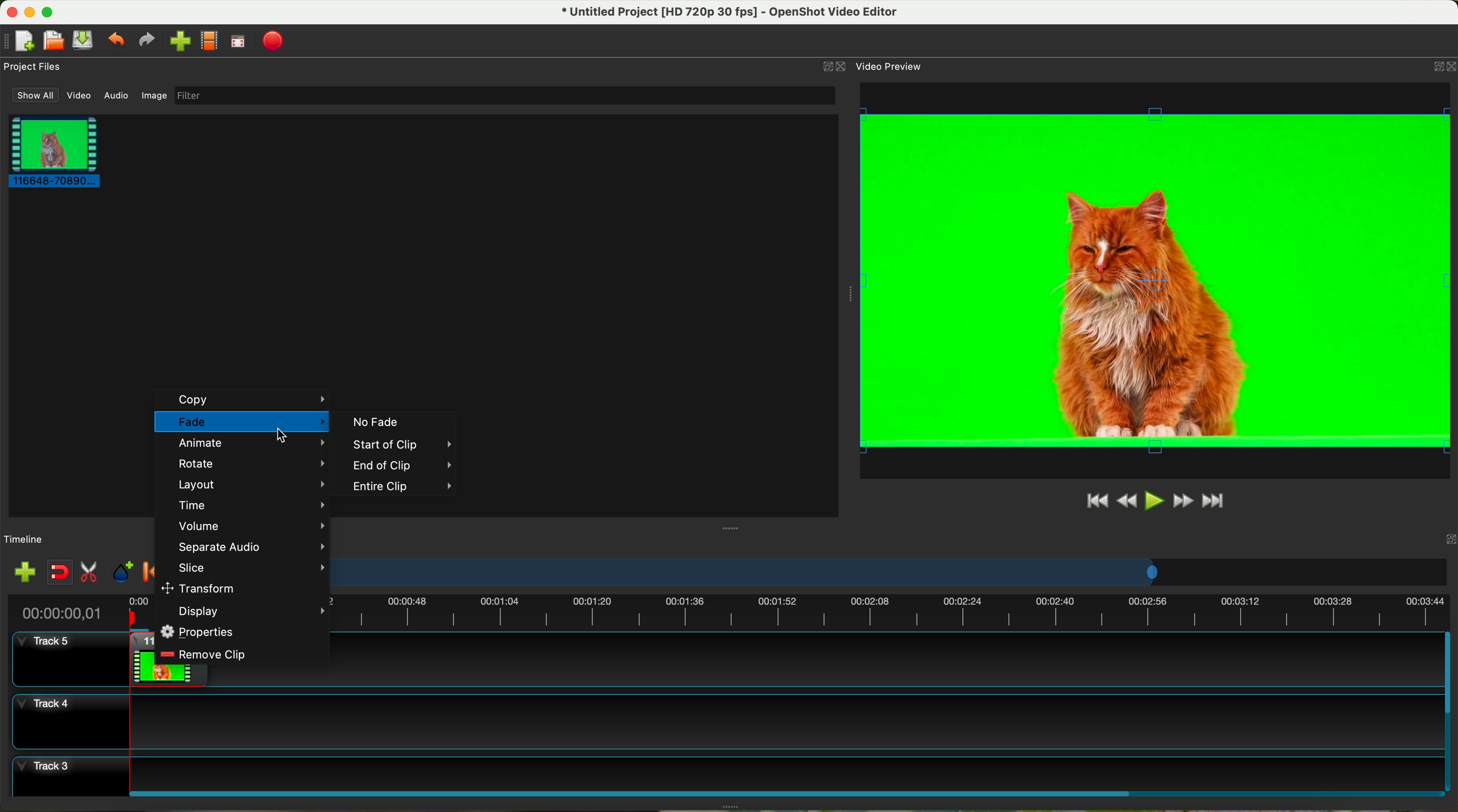 Image resolution: width=1458 pixels, height=812 pixels. What do you see at coordinates (725, 721) in the screenshot?
I see `track 4` at bounding box center [725, 721].